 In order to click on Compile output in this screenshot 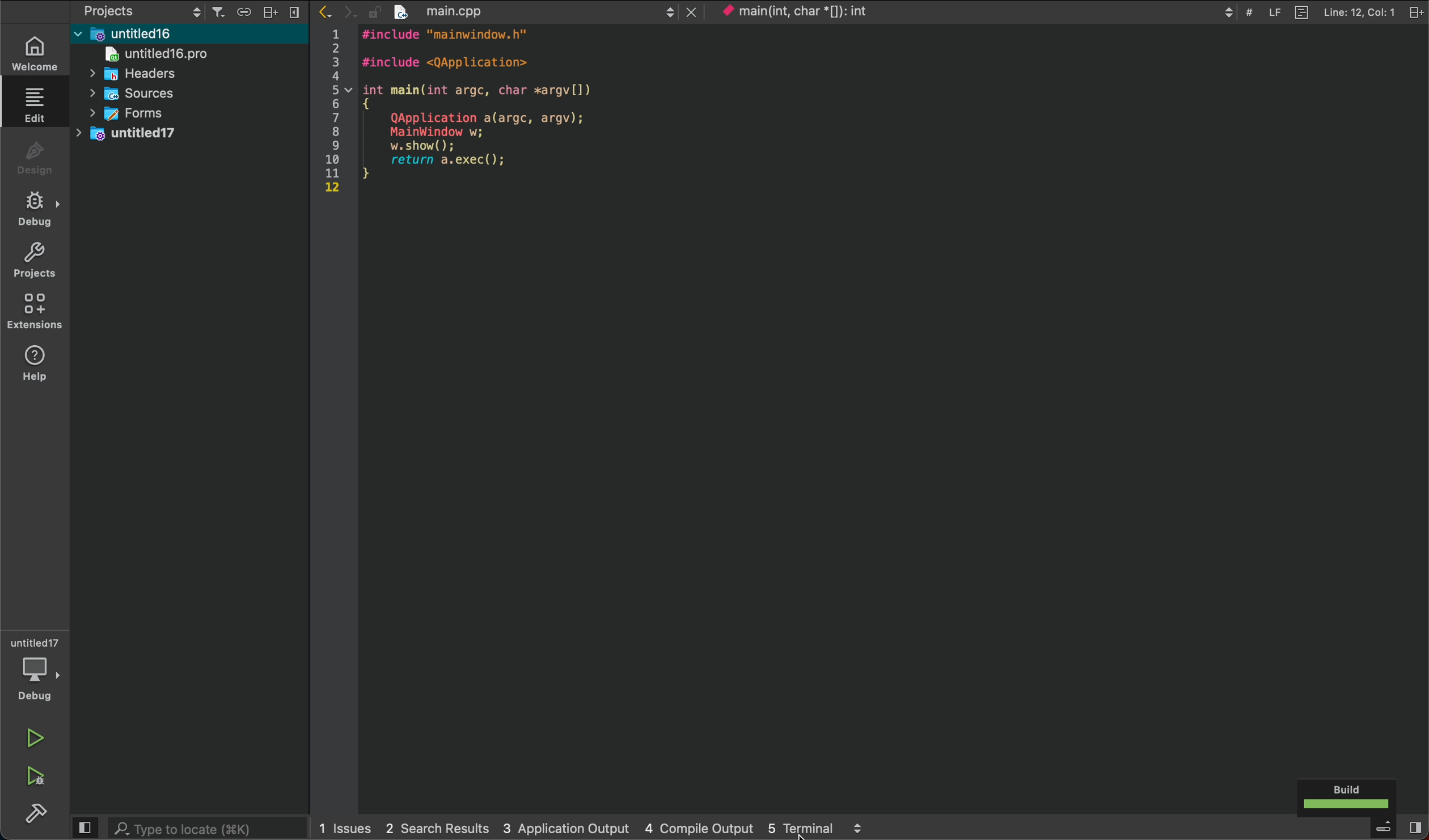, I will do `click(700, 828)`.